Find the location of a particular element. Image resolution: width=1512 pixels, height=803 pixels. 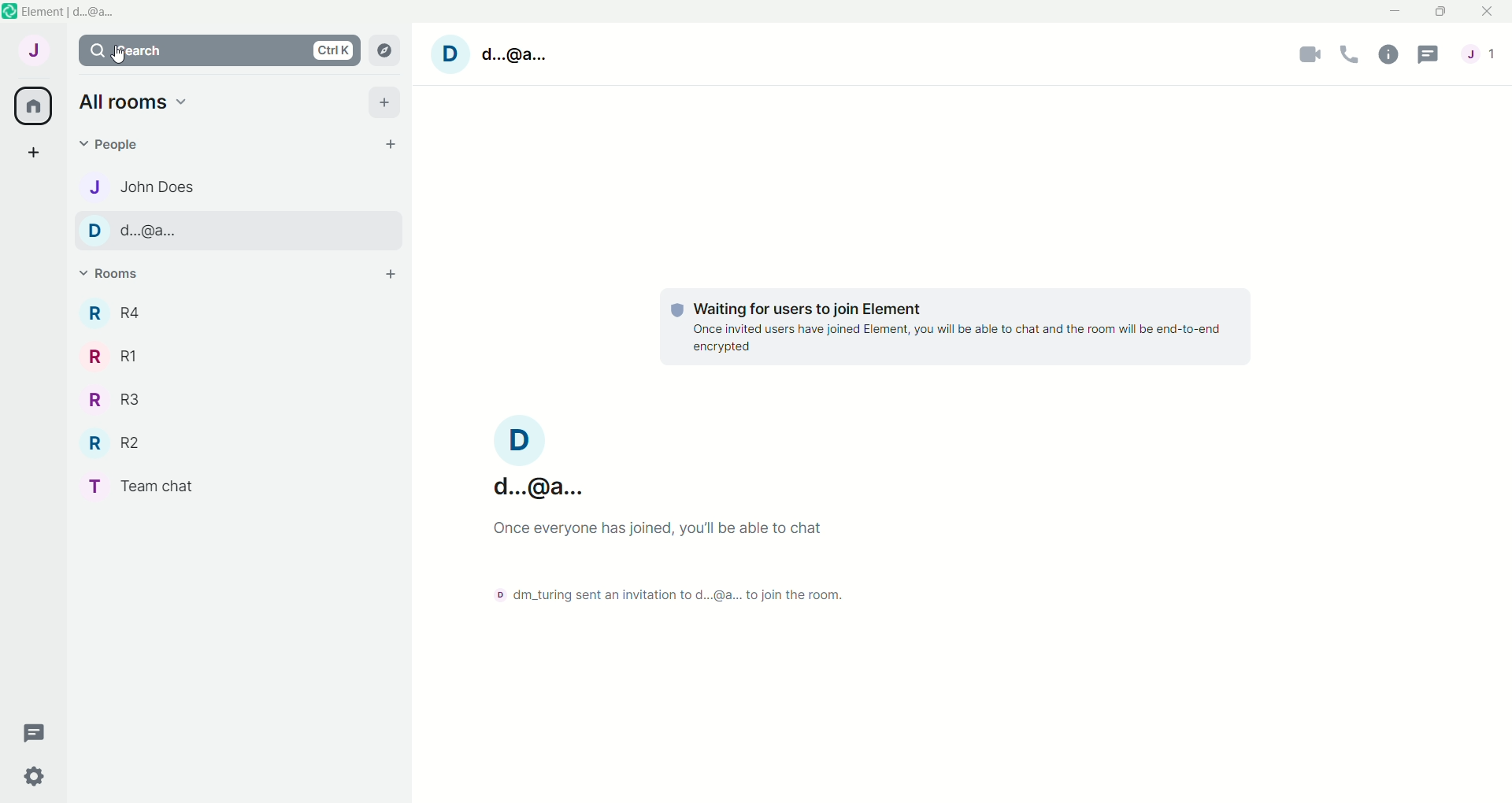

minimize is located at coordinates (1395, 9).